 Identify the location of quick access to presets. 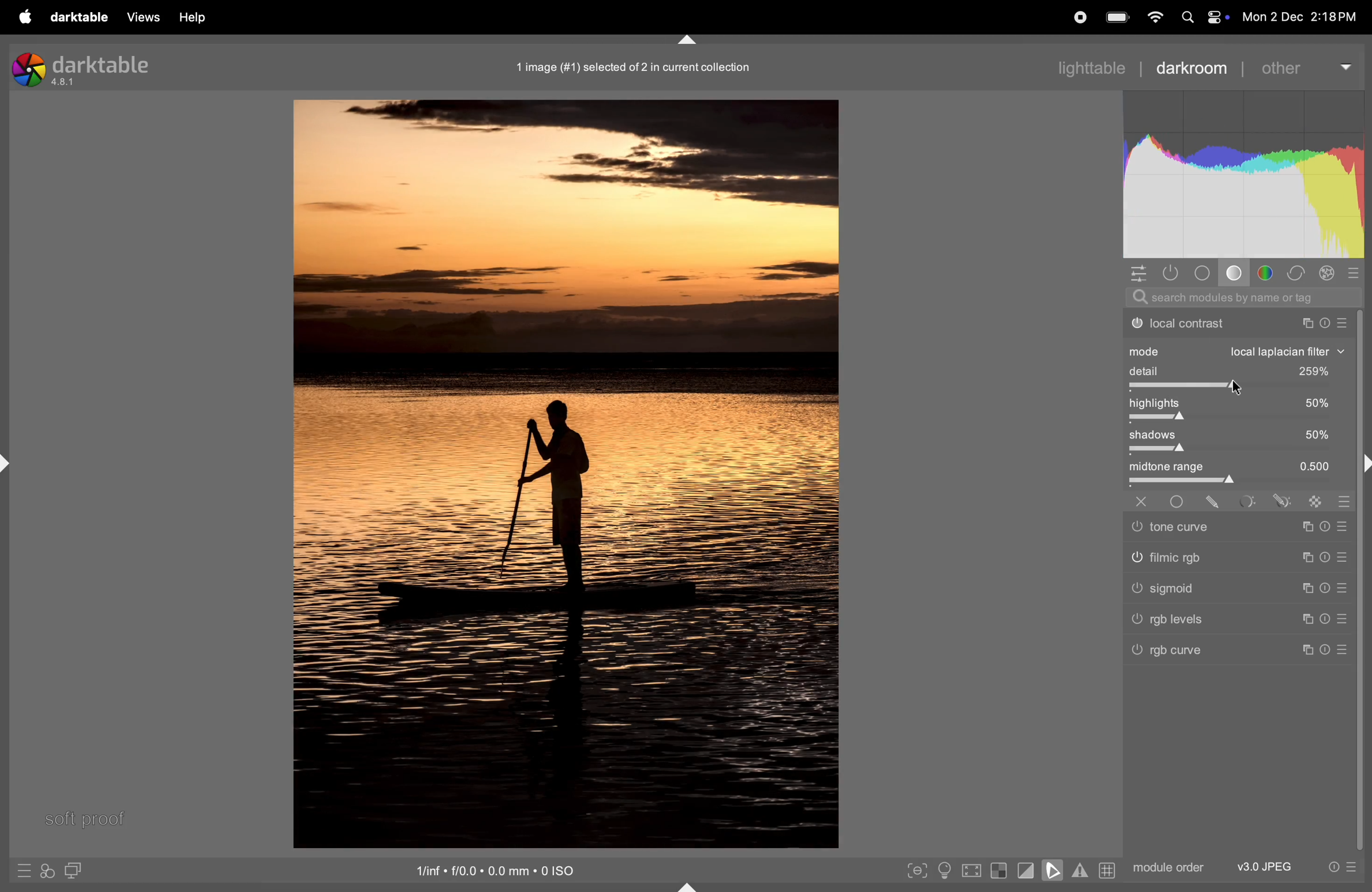
(19, 868).